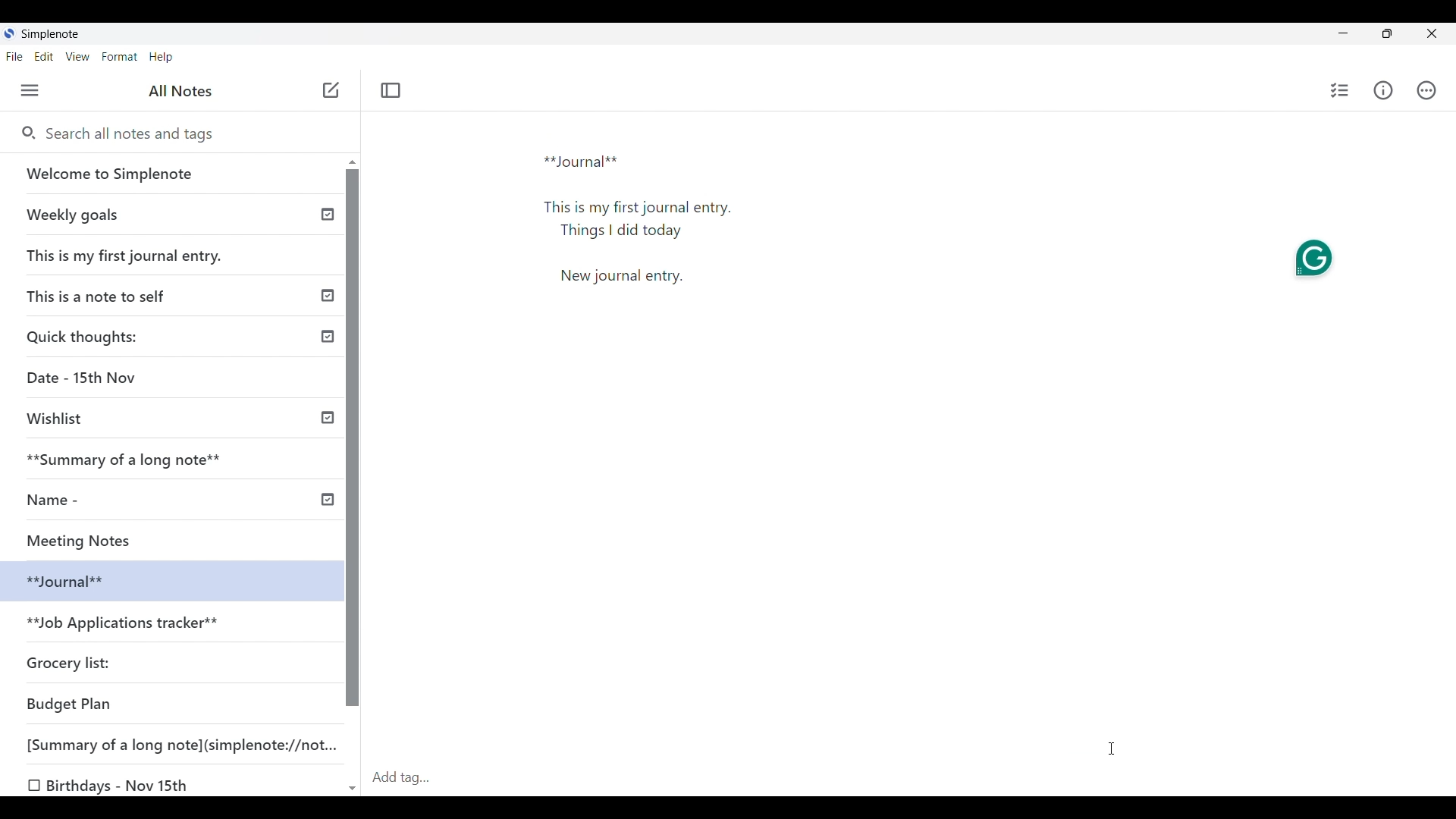  I want to click on Actions, so click(1426, 90).